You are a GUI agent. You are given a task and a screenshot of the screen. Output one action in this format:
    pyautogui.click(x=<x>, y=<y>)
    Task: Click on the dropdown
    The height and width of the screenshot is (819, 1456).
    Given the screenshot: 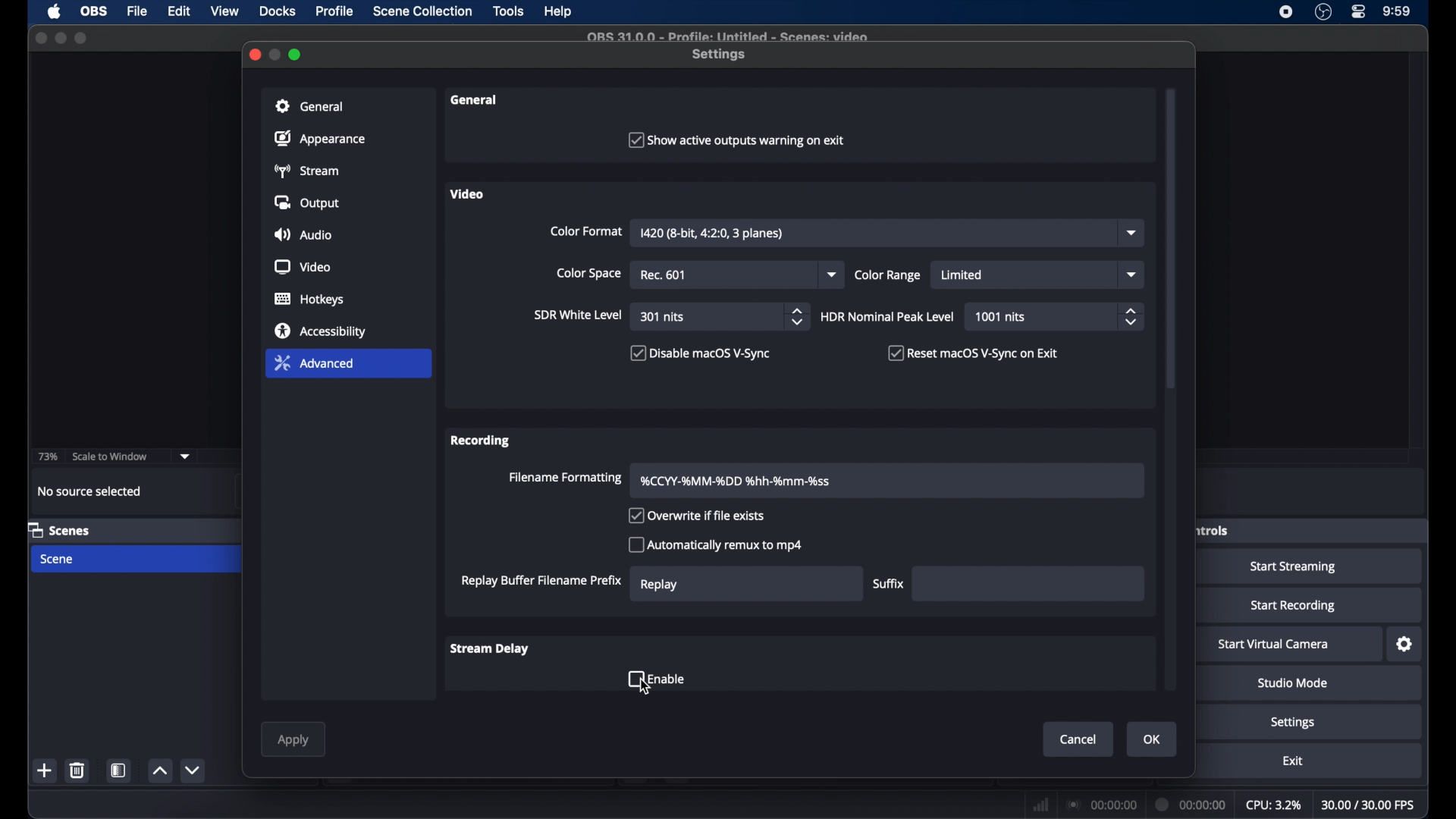 What is the action you would take?
    pyautogui.click(x=1134, y=233)
    